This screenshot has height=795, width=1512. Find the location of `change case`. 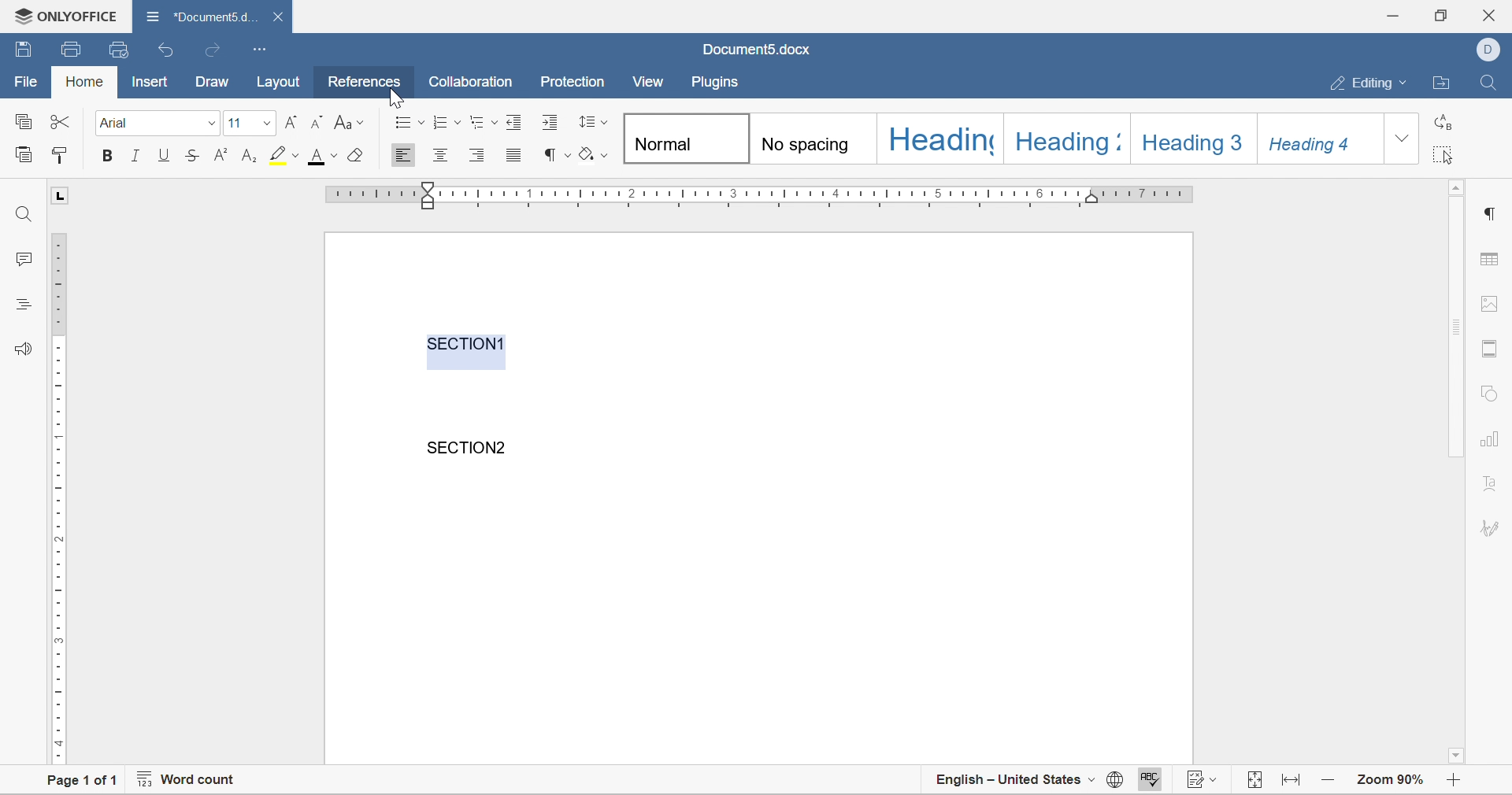

change case is located at coordinates (349, 121).